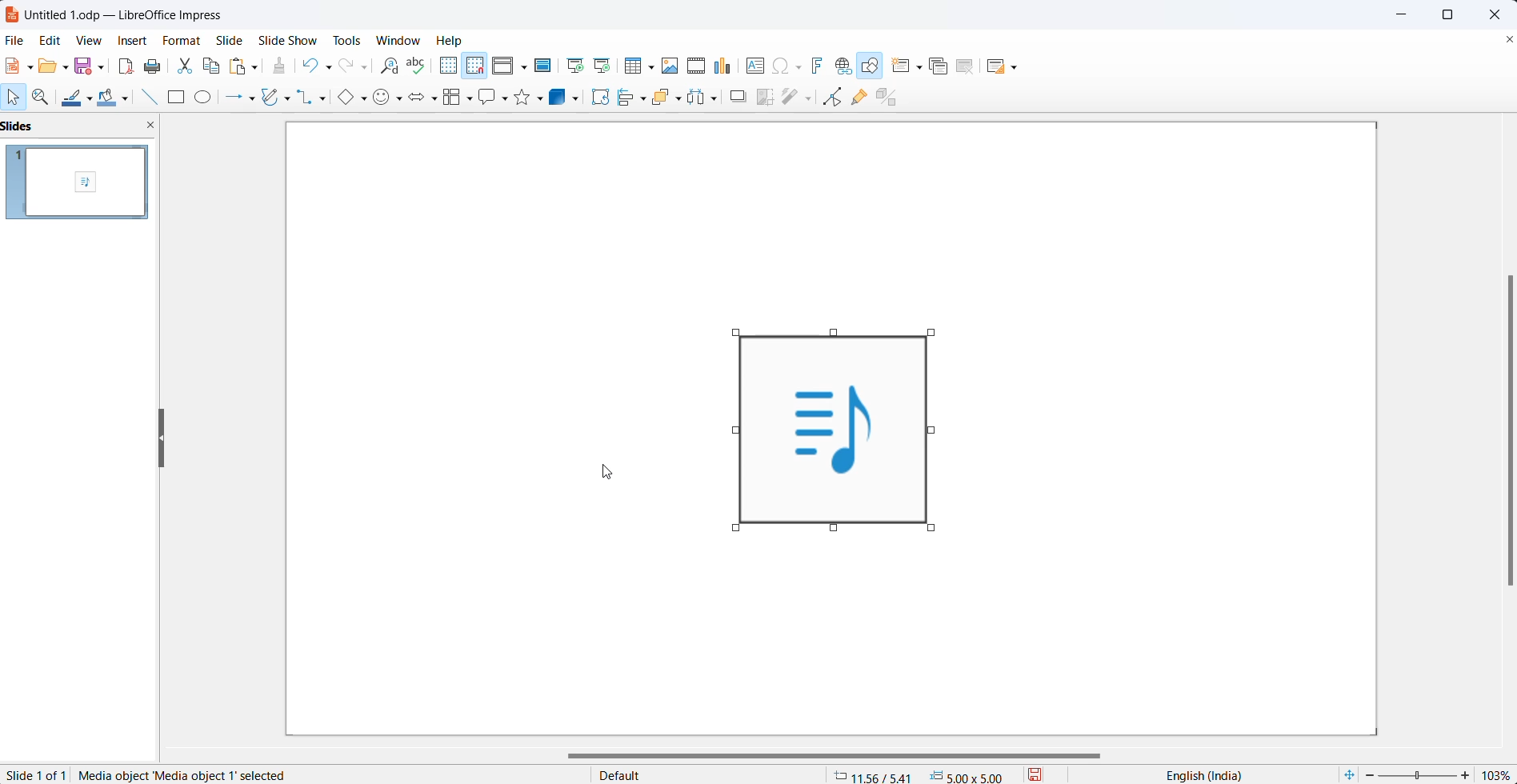 This screenshot has width=1517, height=784. Describe the element at coordinates (844, 65) in the screenshot. I see `insert hyperlink` at that location.